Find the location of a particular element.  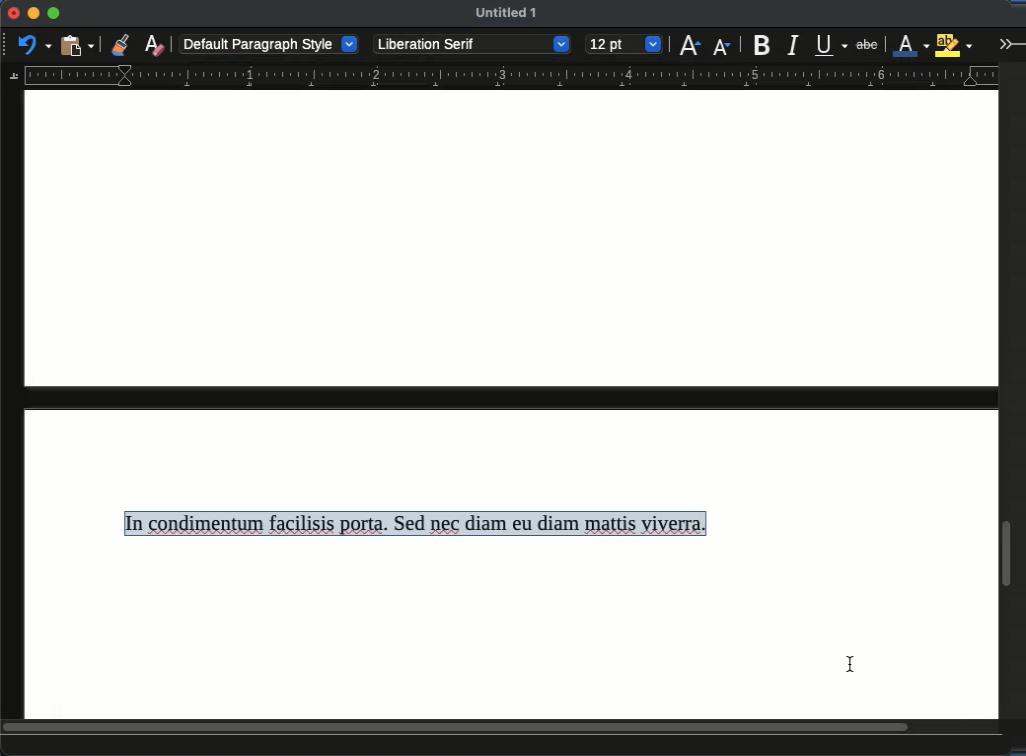

clone formatting is located at coordinates (120, 44).